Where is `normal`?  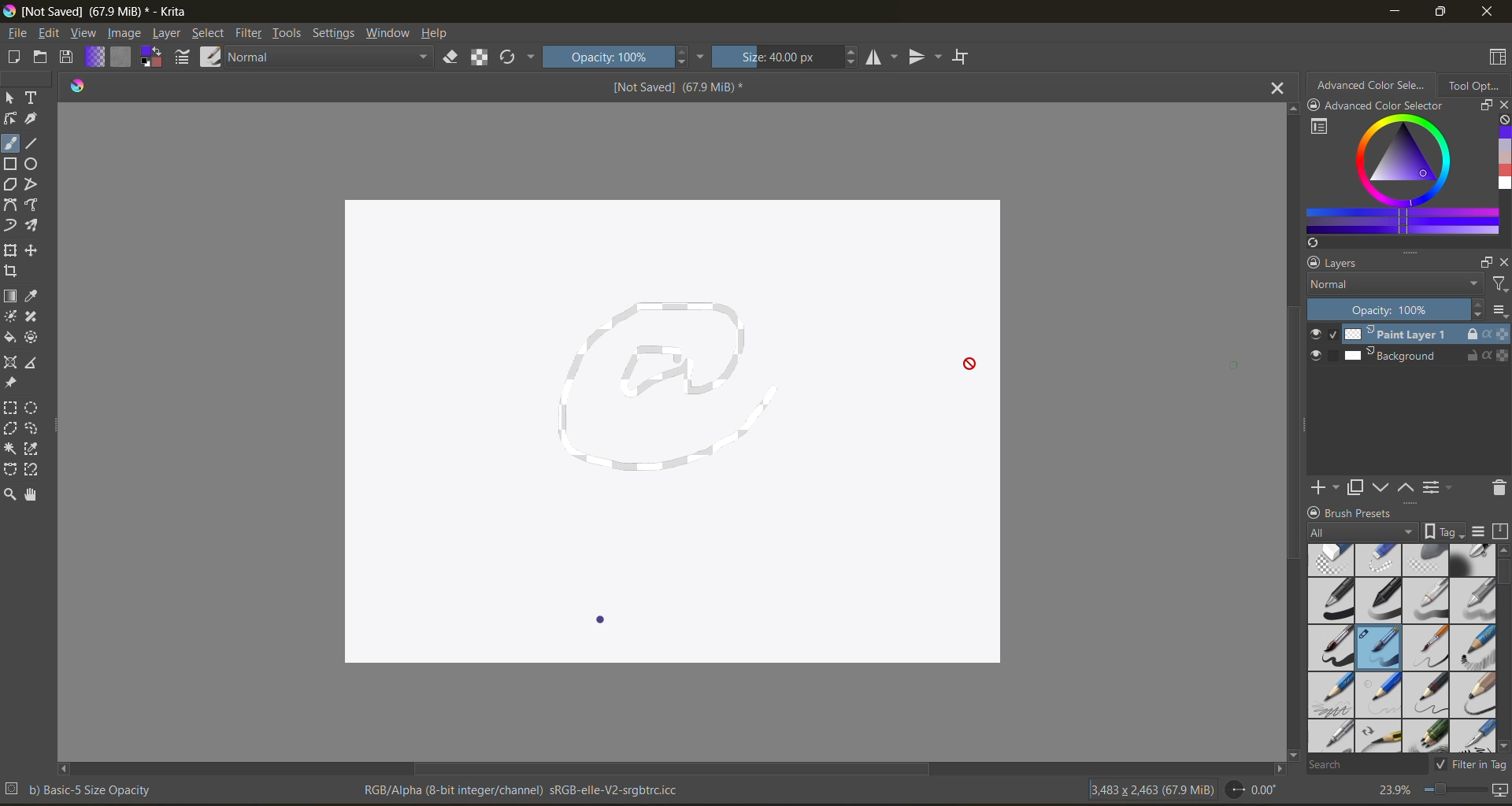 normal is located at coordinates (1394, 284).